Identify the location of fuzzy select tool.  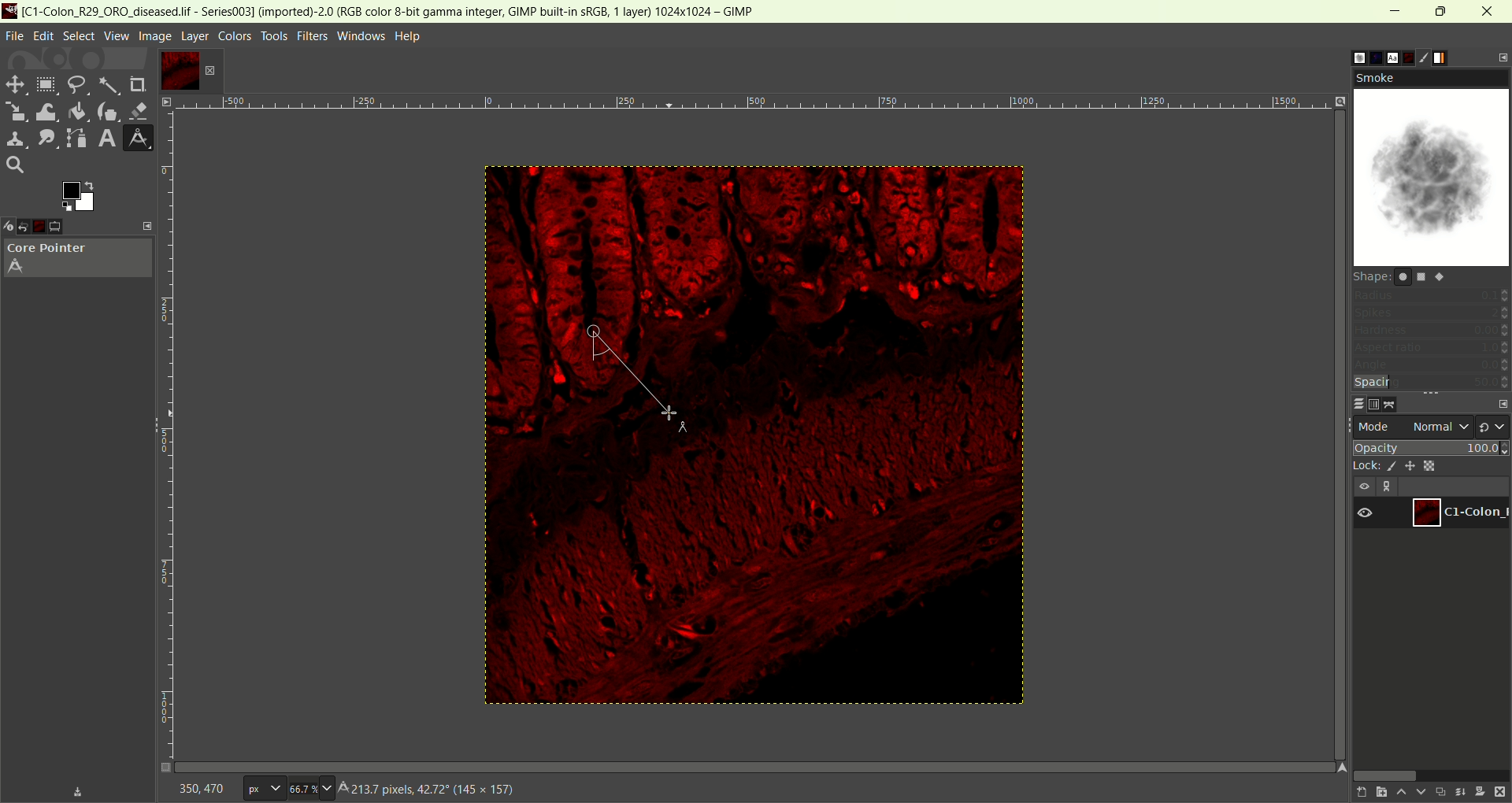
(109, 87).